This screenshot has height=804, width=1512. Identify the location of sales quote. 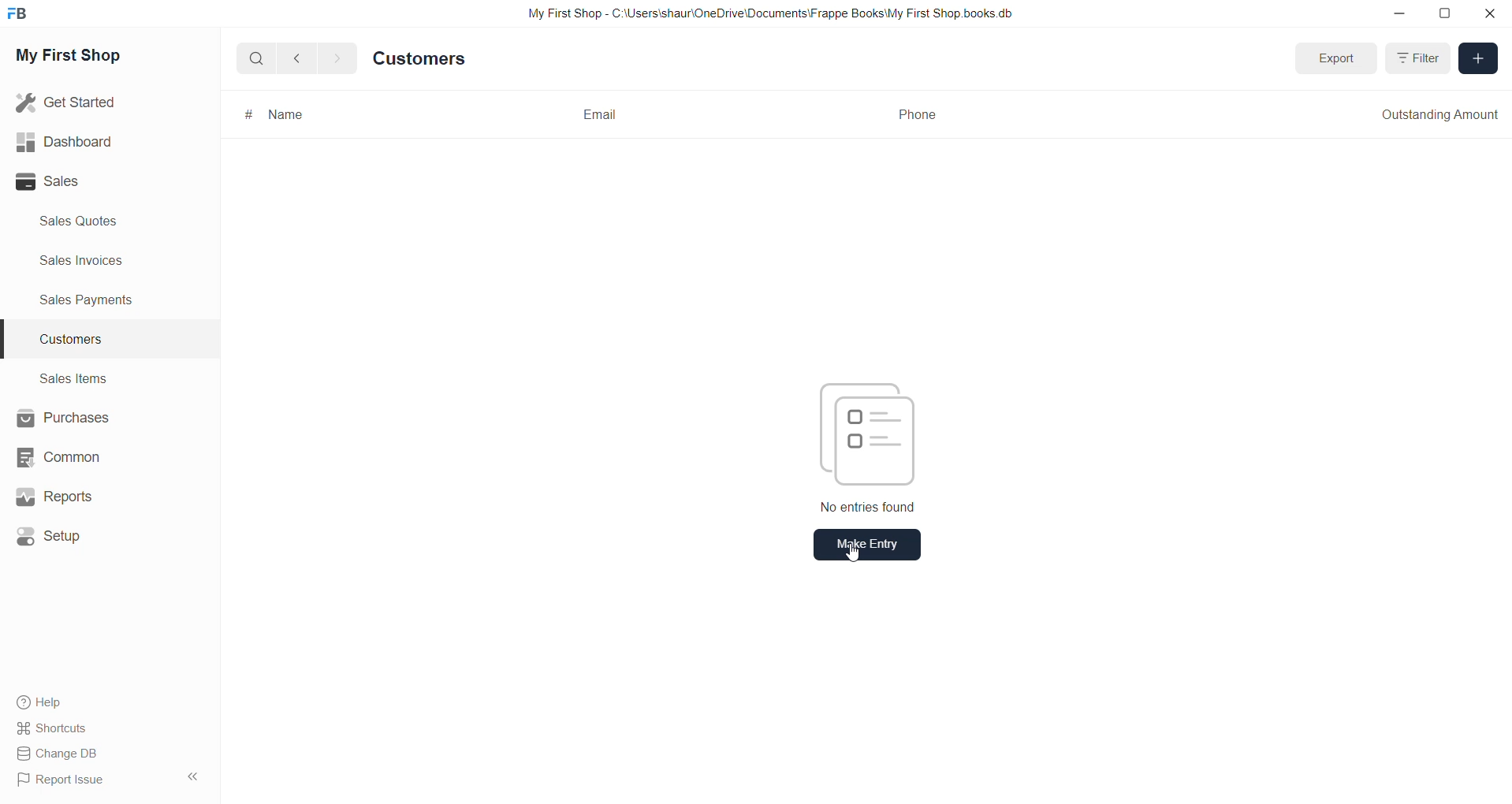
(88, 221).